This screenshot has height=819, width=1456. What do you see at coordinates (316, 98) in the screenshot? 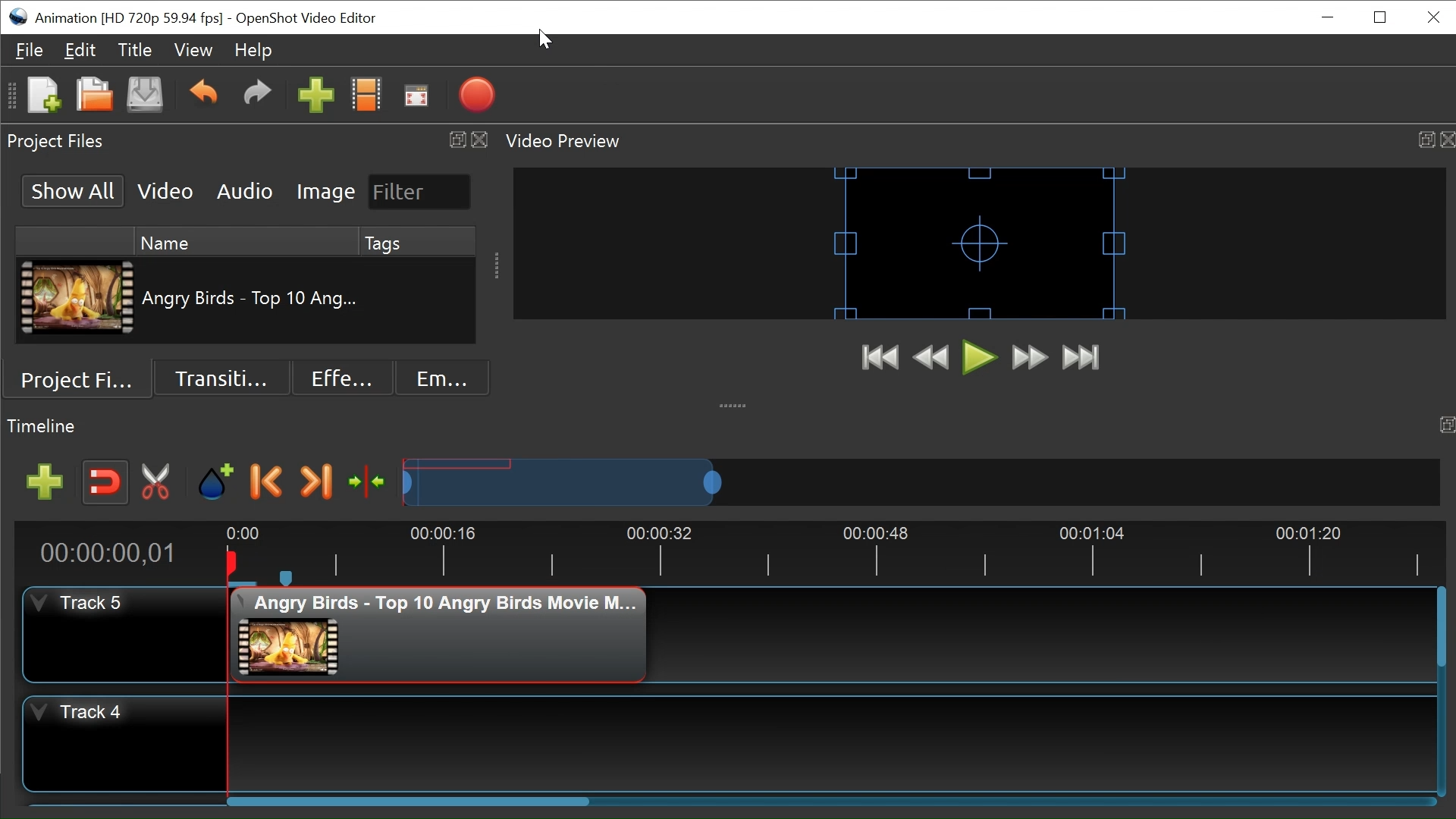
I see `Import Files` at bounding box center [316, 98].